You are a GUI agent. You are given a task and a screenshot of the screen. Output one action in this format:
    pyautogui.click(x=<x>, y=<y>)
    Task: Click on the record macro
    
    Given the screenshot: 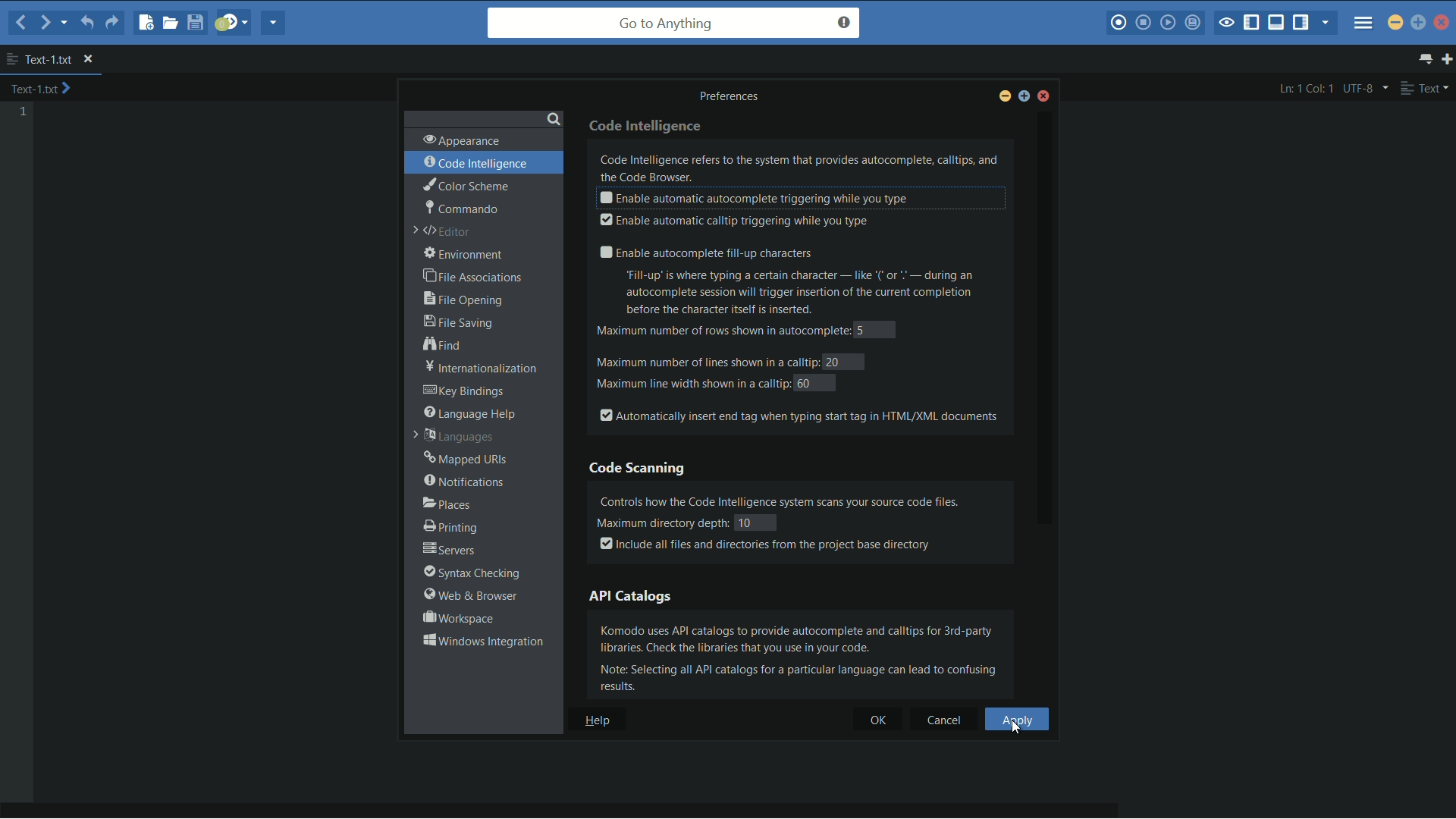 What is the action you would take?
    pyautogui.click(x=1118, y=24)
    